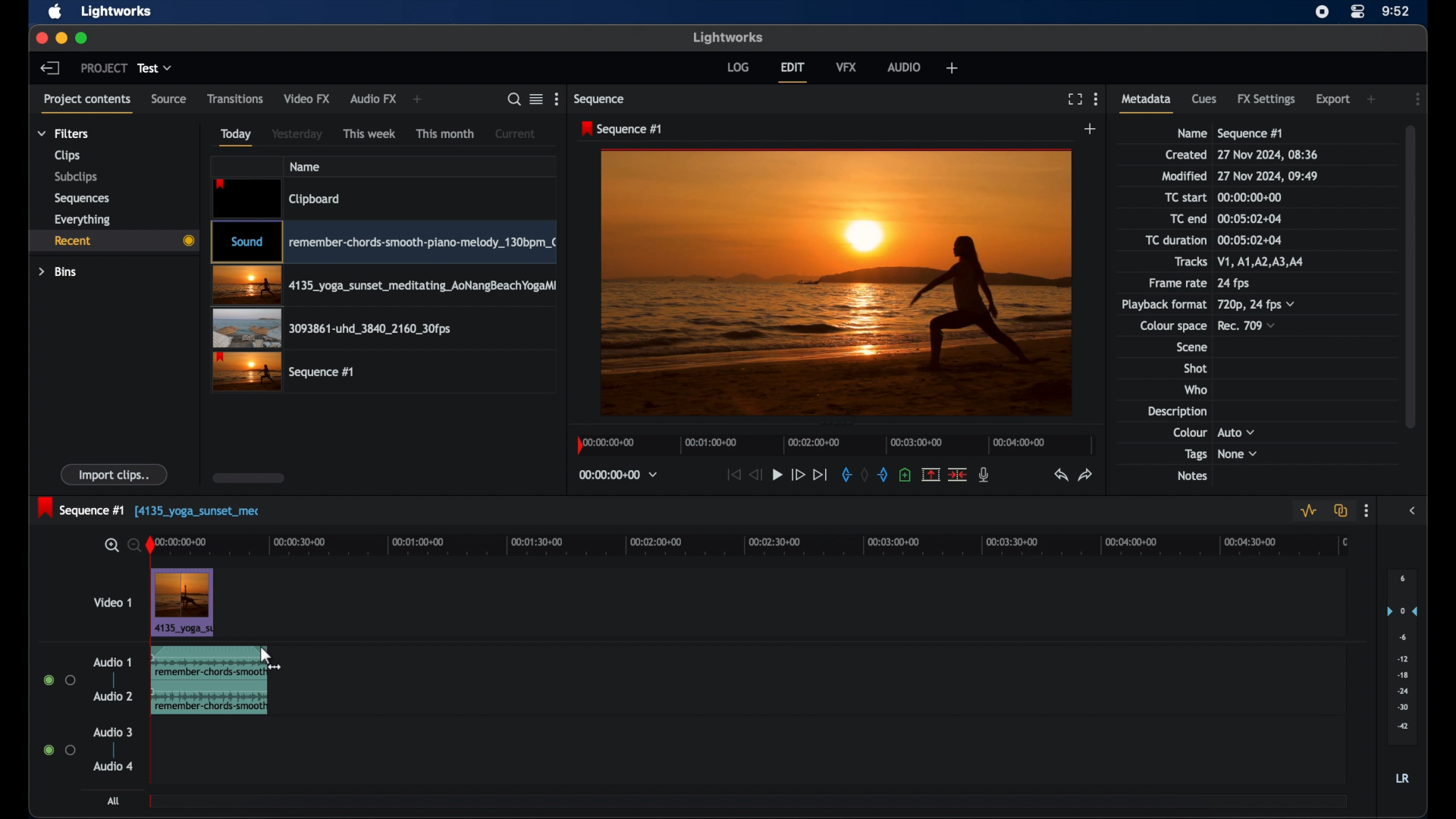  I want to click on sequence 1, so click(150, 508).